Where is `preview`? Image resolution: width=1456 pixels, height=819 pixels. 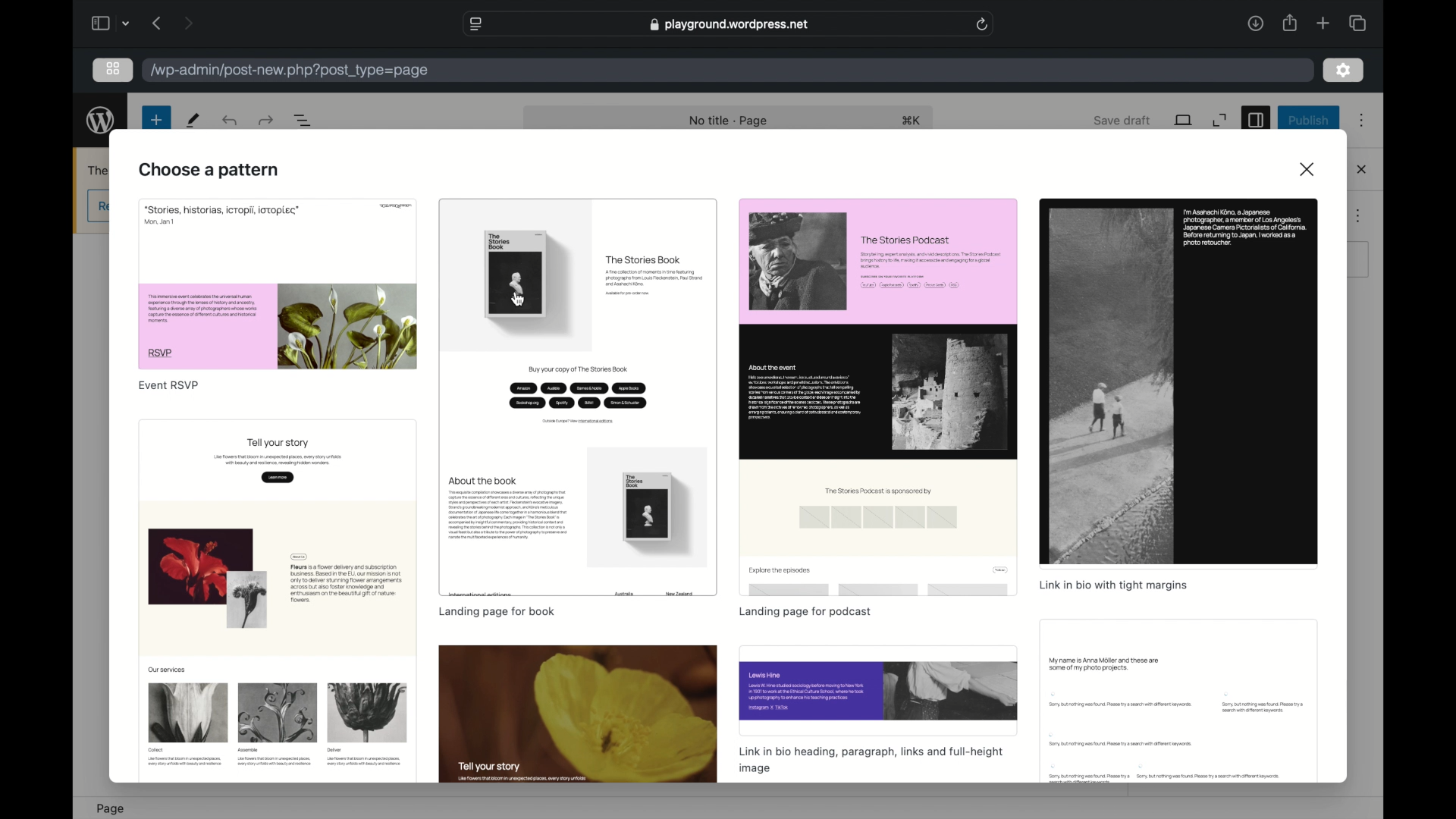 preview is located at coordinates (278, 600).